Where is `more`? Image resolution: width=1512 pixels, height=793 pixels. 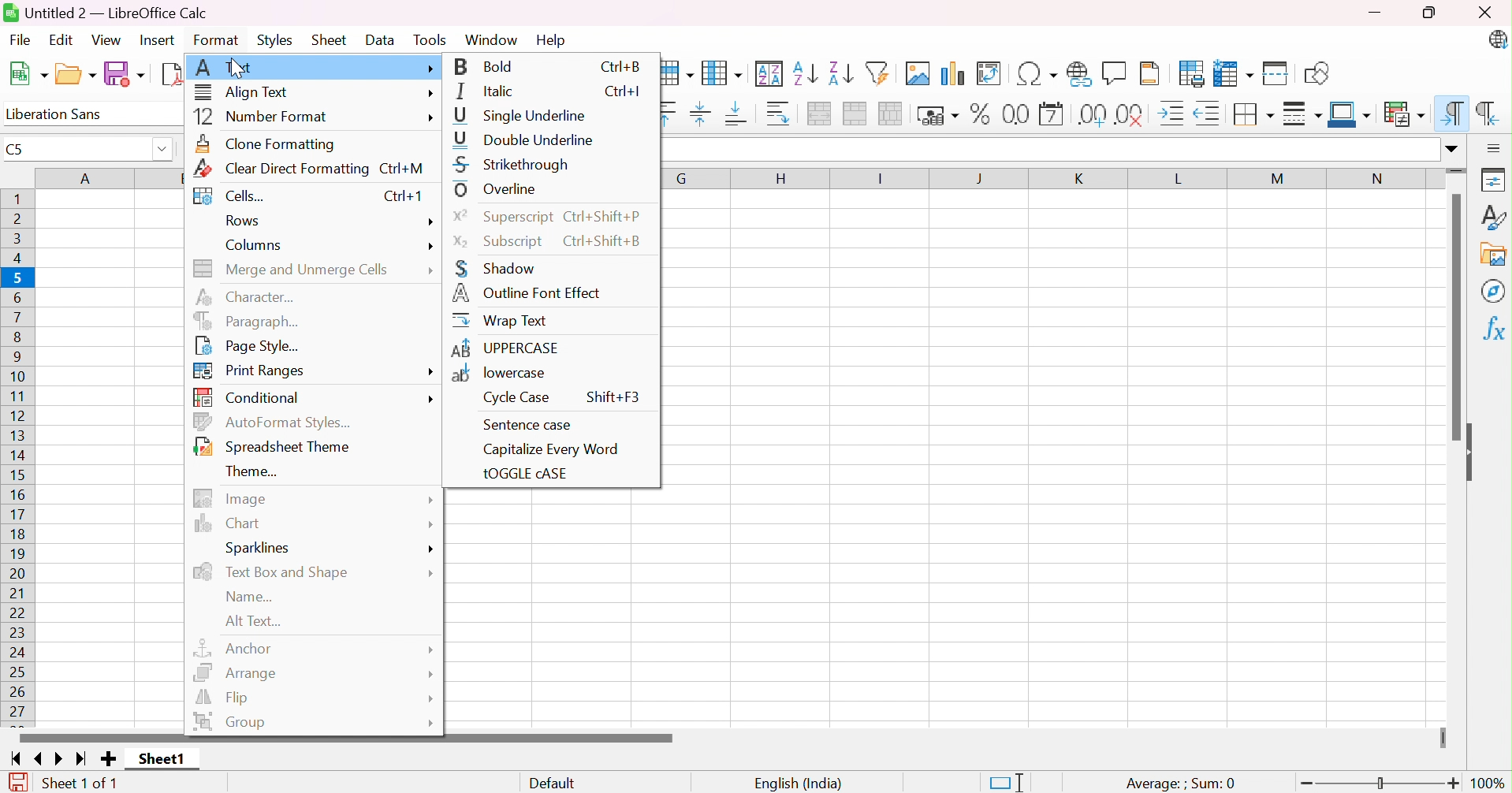 more is located at coordinates (430, 118).